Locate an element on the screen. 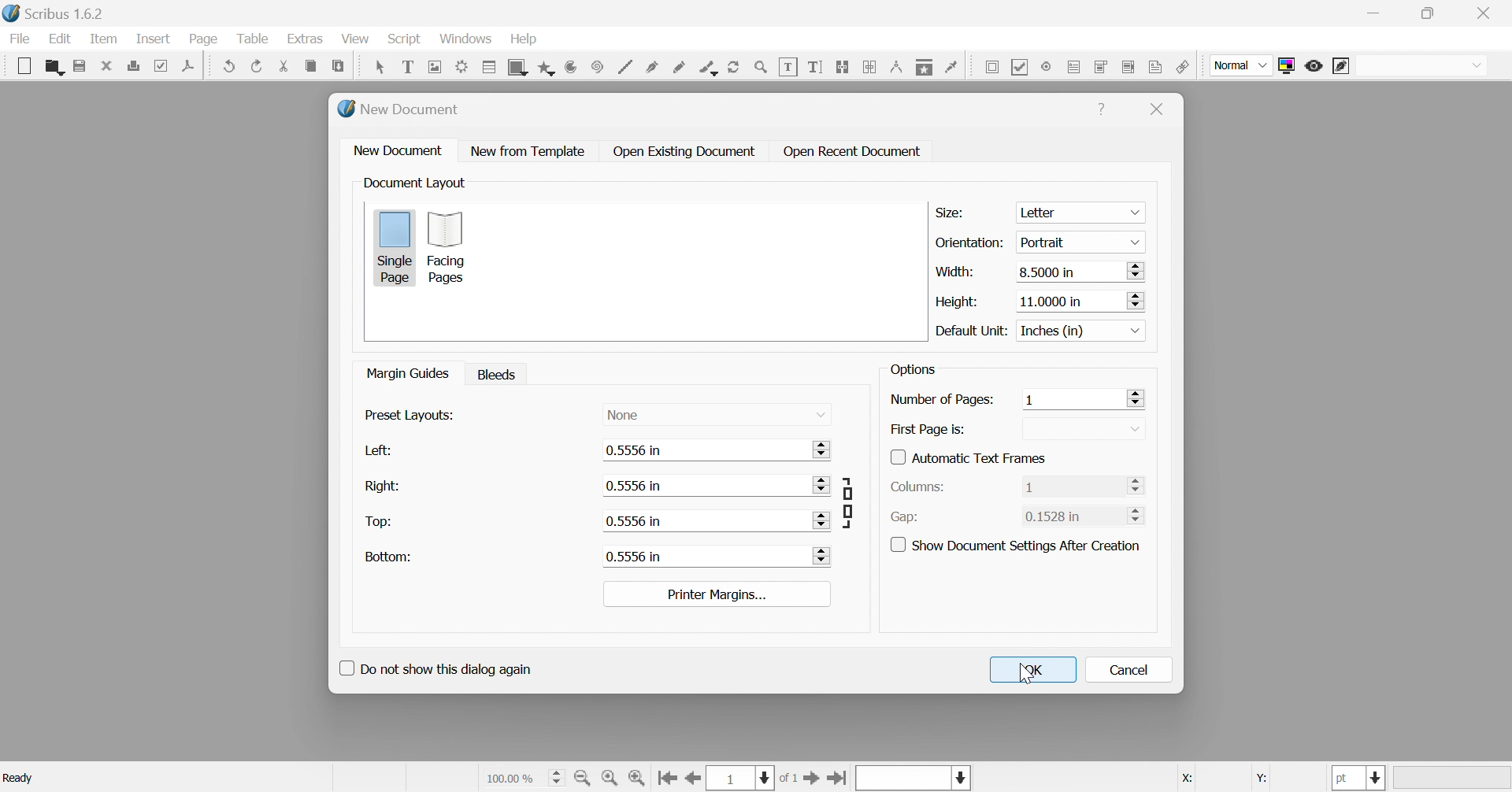  bezier curve is located at coordinates (652, 67).